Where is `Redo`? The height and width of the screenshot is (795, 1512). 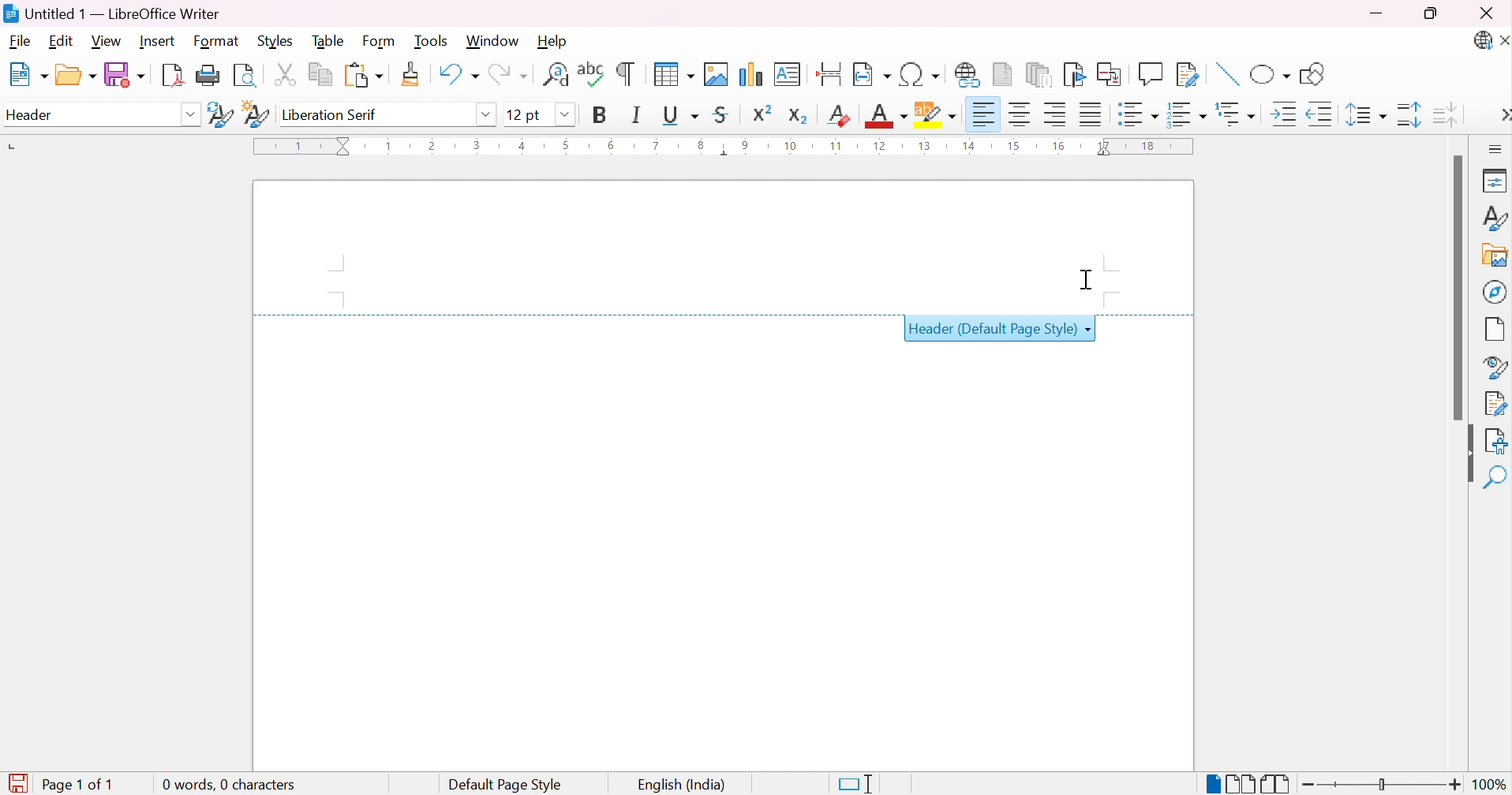
Redo is located at coordinates (512, 74).